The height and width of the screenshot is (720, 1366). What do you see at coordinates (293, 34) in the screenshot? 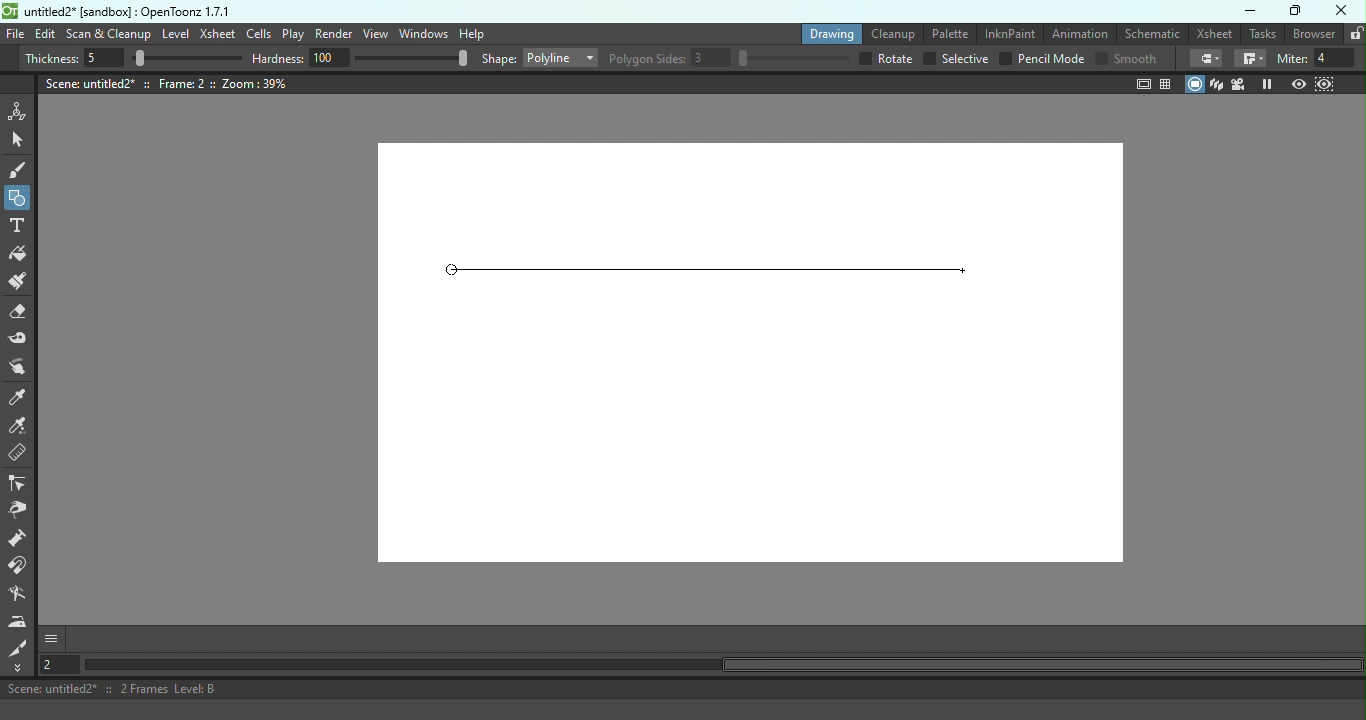
I see `Play` at bounding box center [293, 34].